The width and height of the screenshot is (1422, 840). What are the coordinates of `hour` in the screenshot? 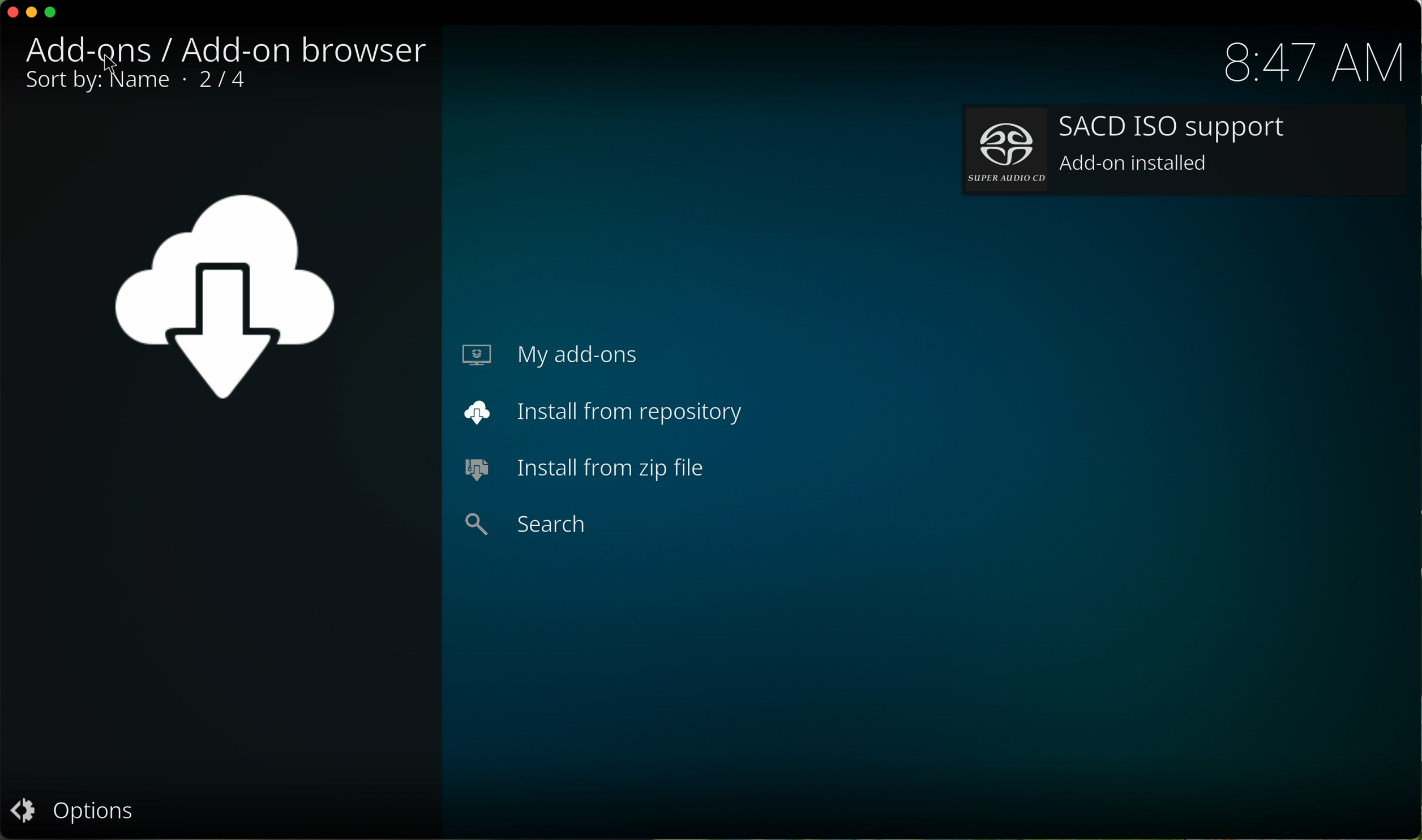 It's located at (1311, 61).